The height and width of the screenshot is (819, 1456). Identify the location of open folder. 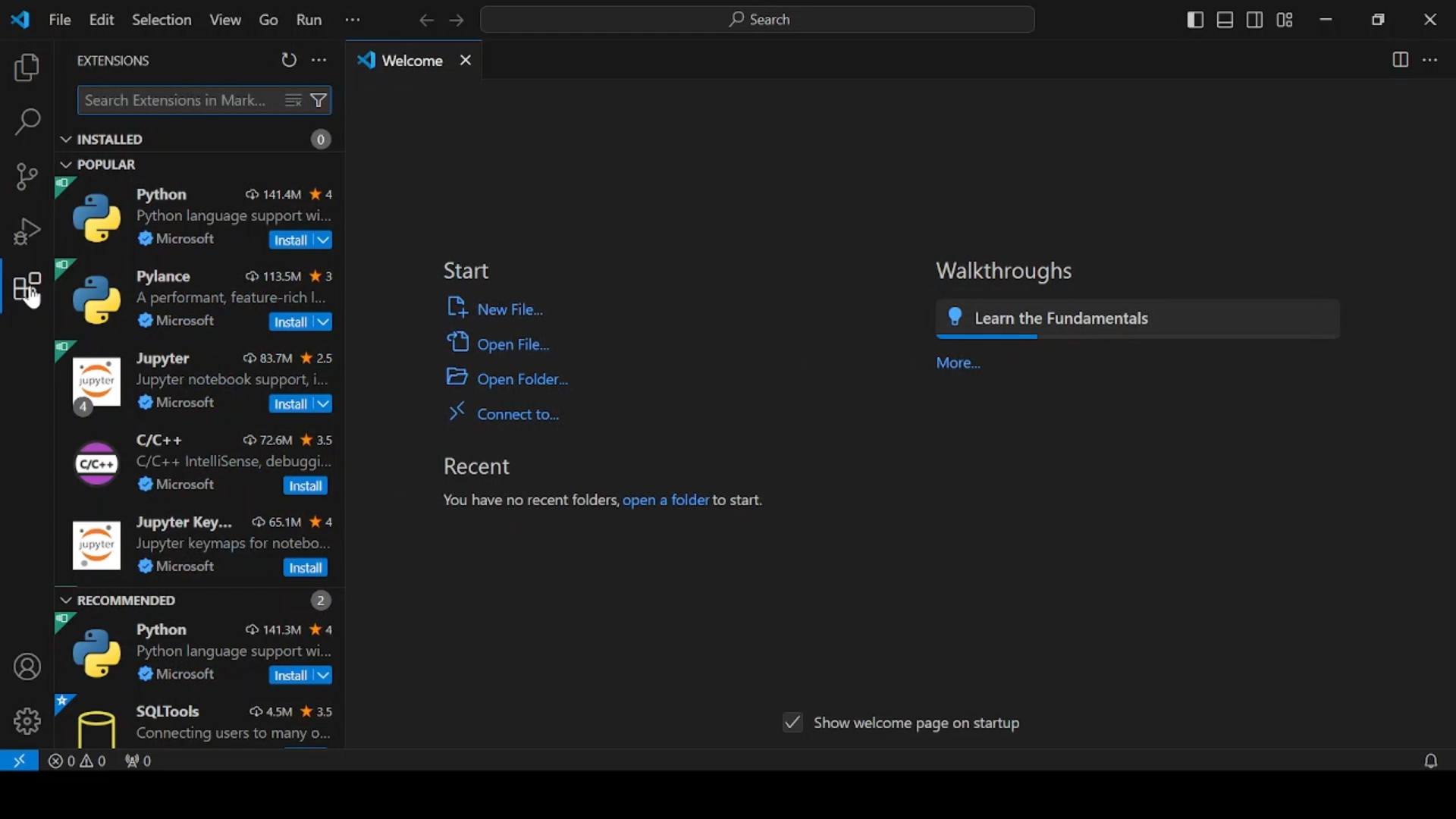
(506, 378).